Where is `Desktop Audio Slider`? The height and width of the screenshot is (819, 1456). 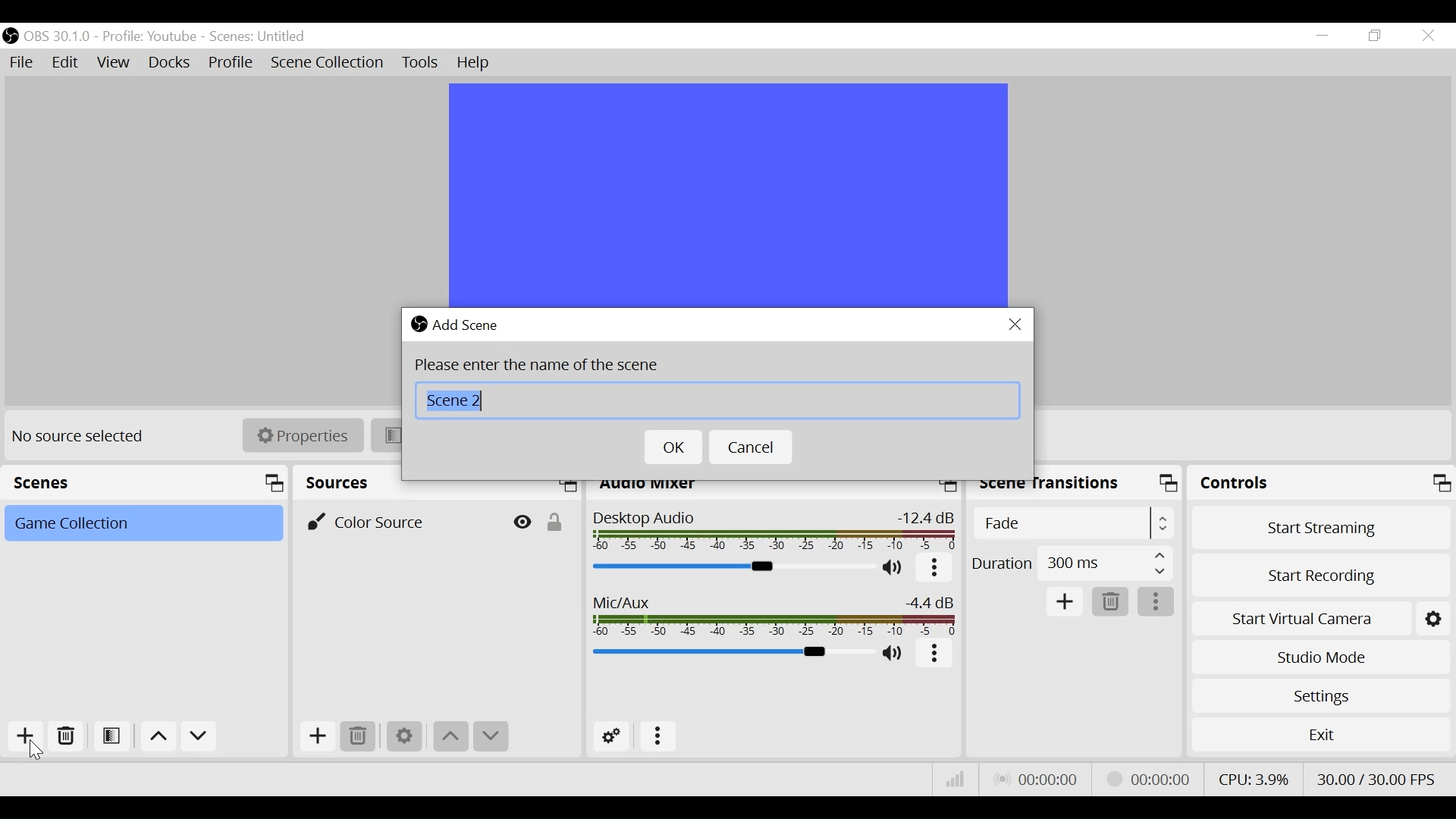
Desktop Audio Slider is located at coordinates (735, 567).